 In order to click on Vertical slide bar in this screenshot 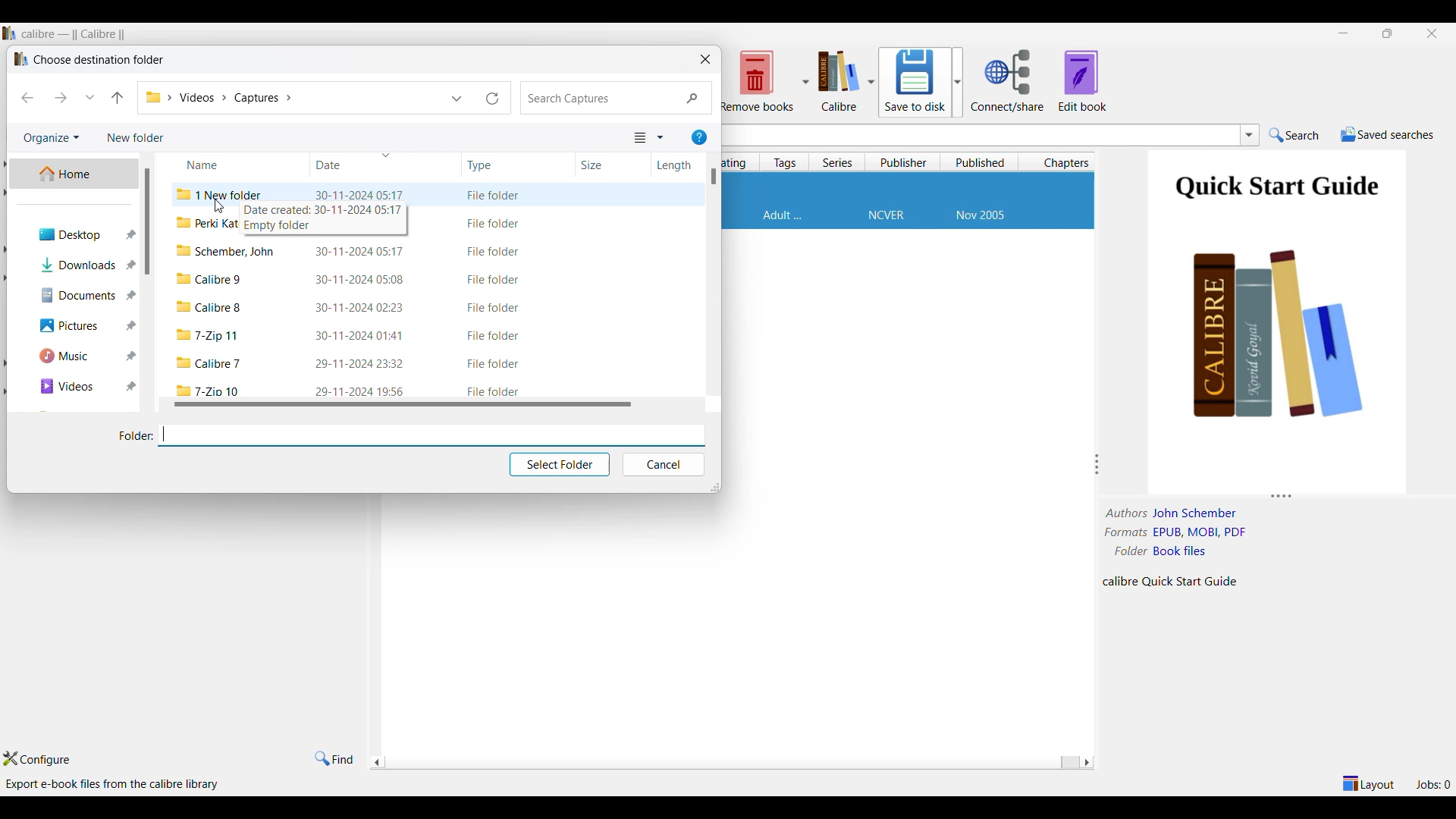, I will do `click(714, 177)`.